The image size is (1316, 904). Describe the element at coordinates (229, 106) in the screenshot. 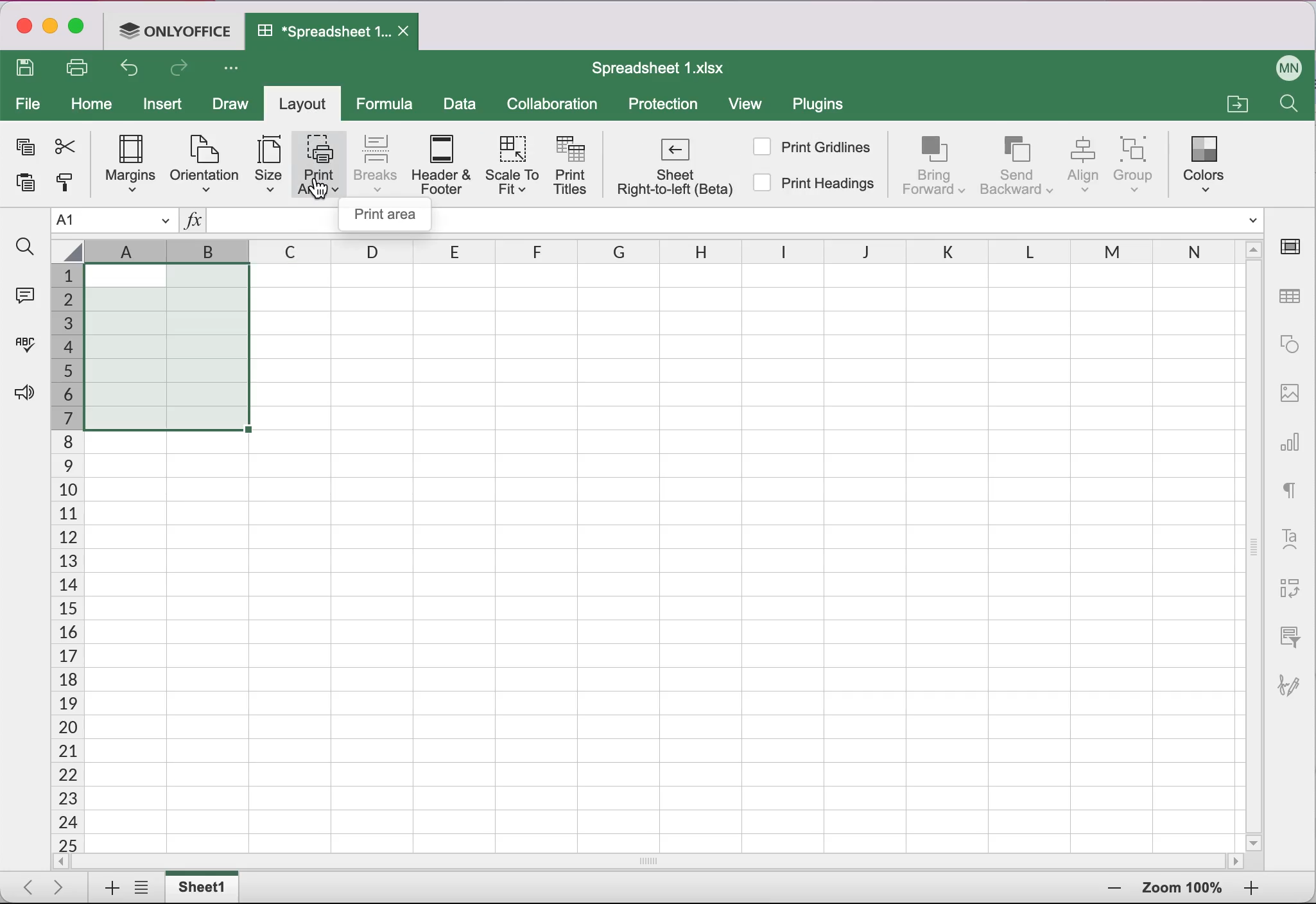

I see `draw` at that location.